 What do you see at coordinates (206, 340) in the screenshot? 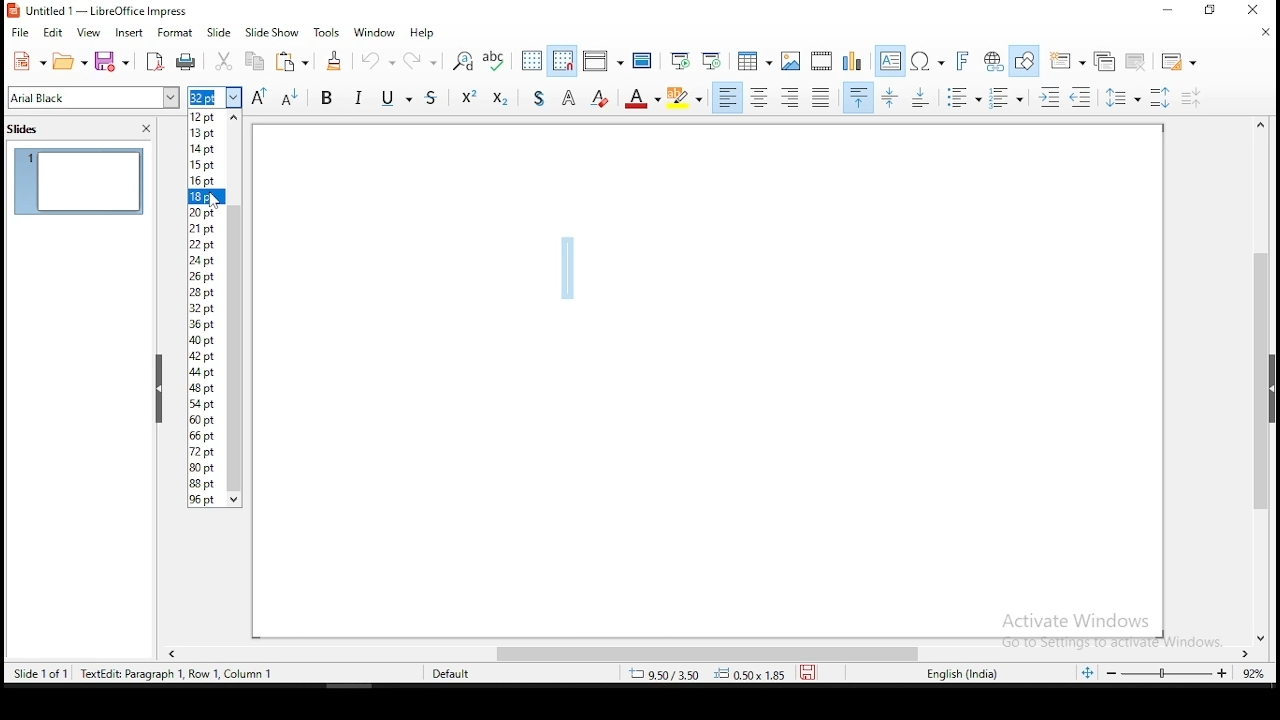
I see `40` at bounding box center [206, 340].